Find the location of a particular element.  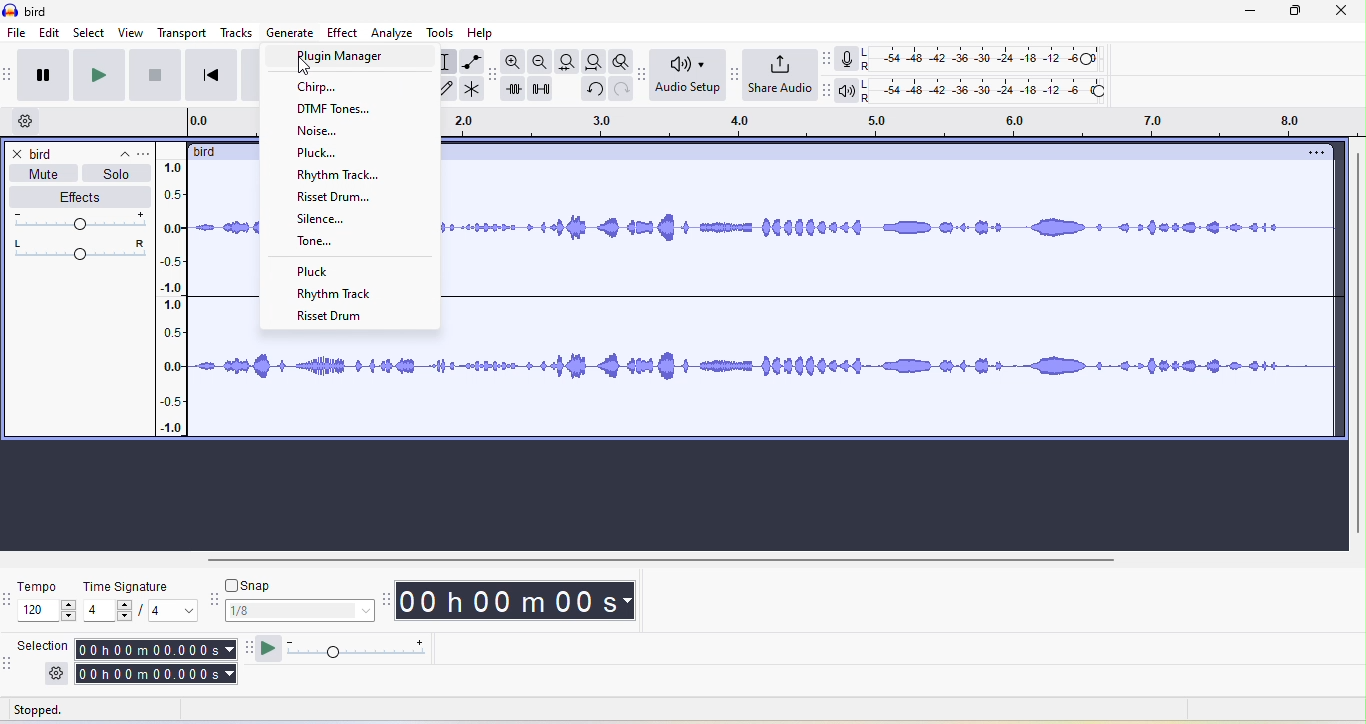

pause is located at coordinates (44, 74).